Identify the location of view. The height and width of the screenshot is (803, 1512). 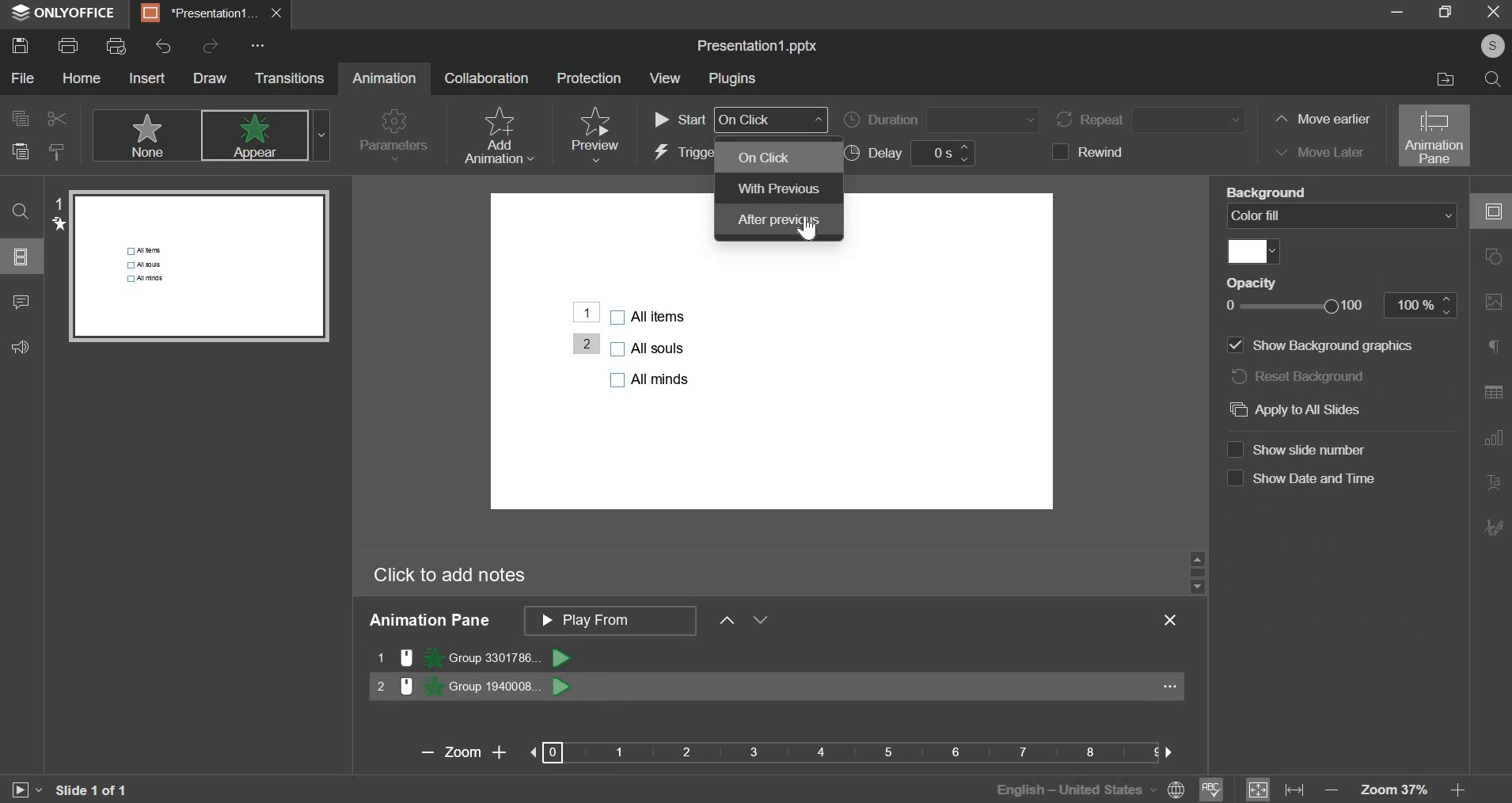
(666, 78).